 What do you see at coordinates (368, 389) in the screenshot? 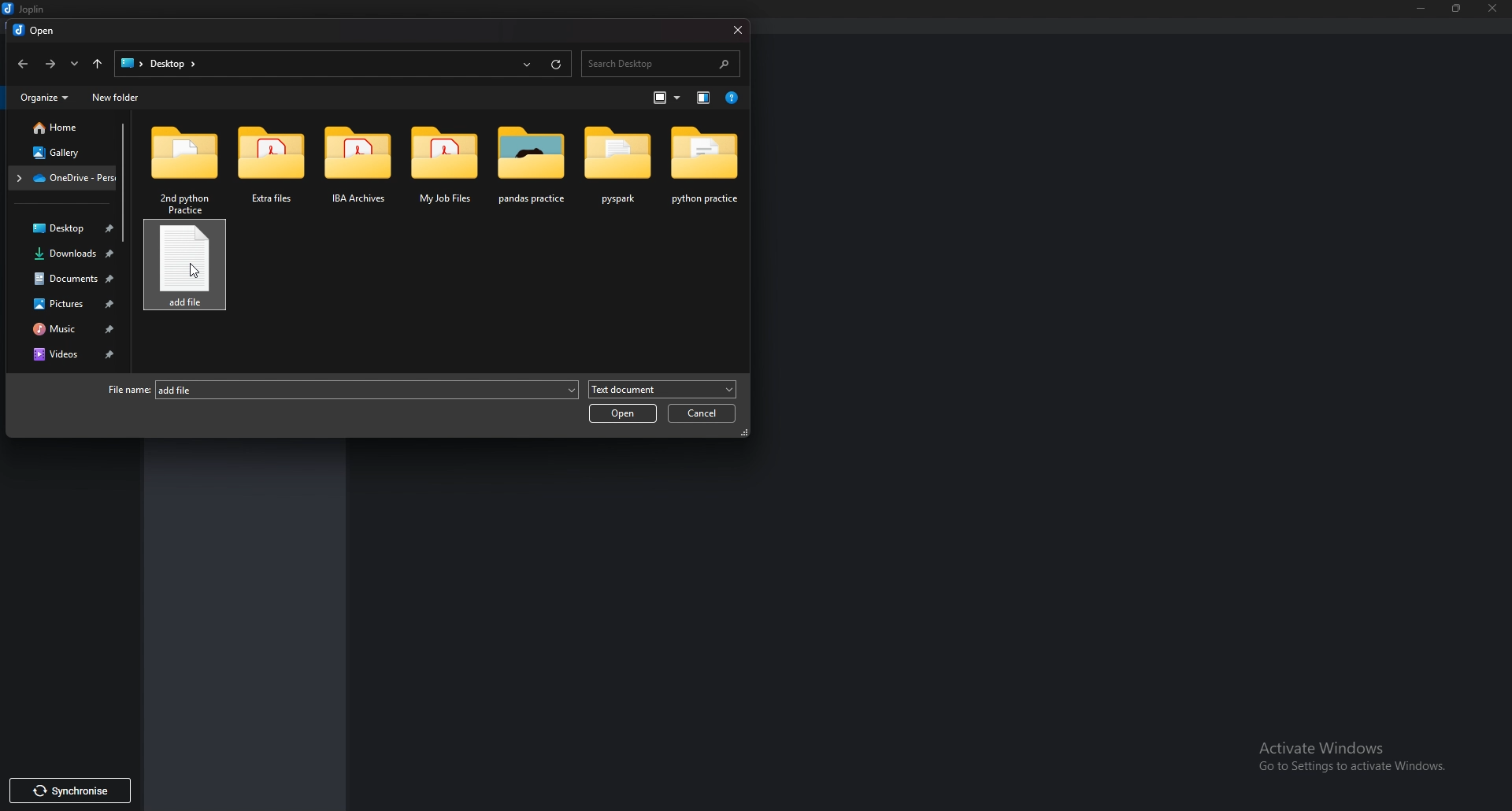
I see `add file` at bounding box center [368, 389].